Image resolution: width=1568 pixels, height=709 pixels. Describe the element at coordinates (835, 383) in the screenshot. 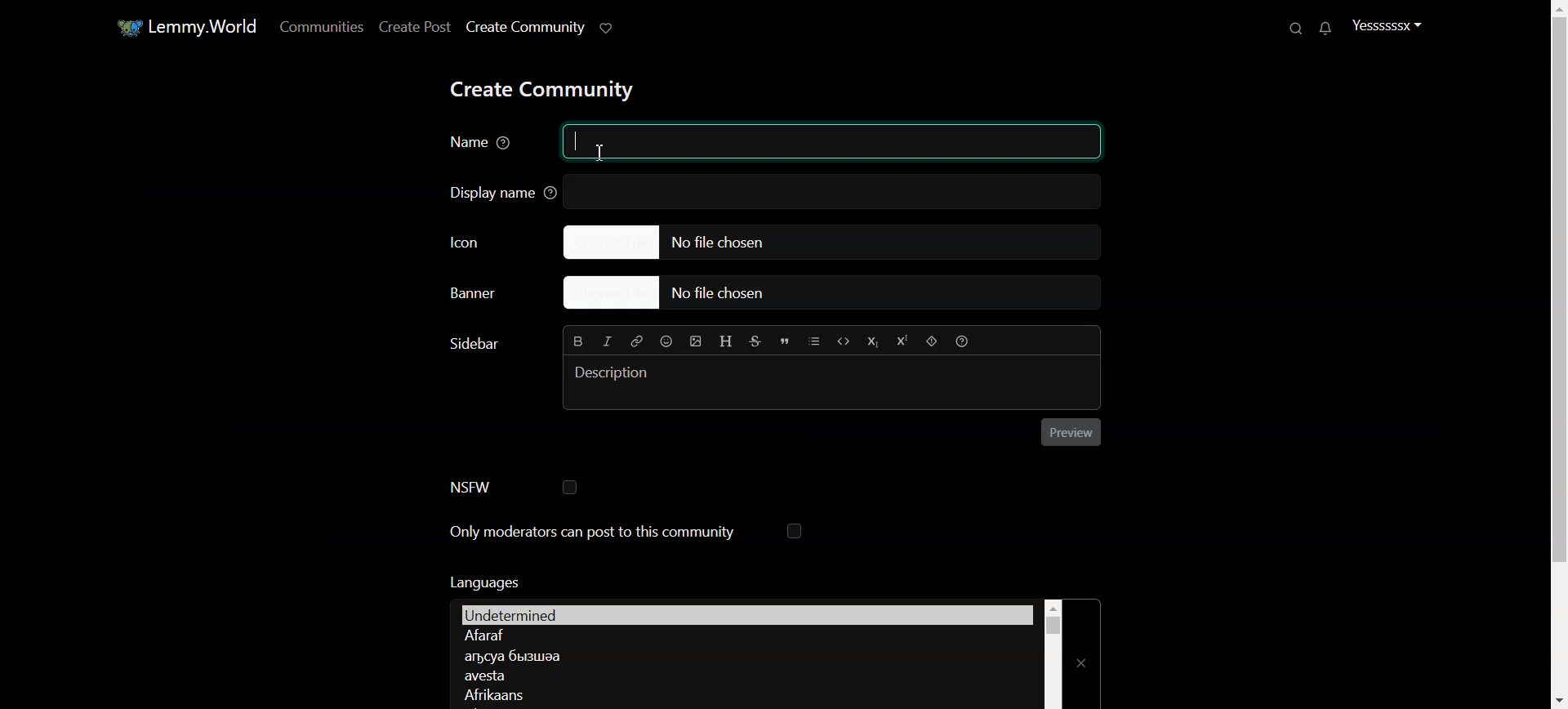

I see `Typing window` at that location.